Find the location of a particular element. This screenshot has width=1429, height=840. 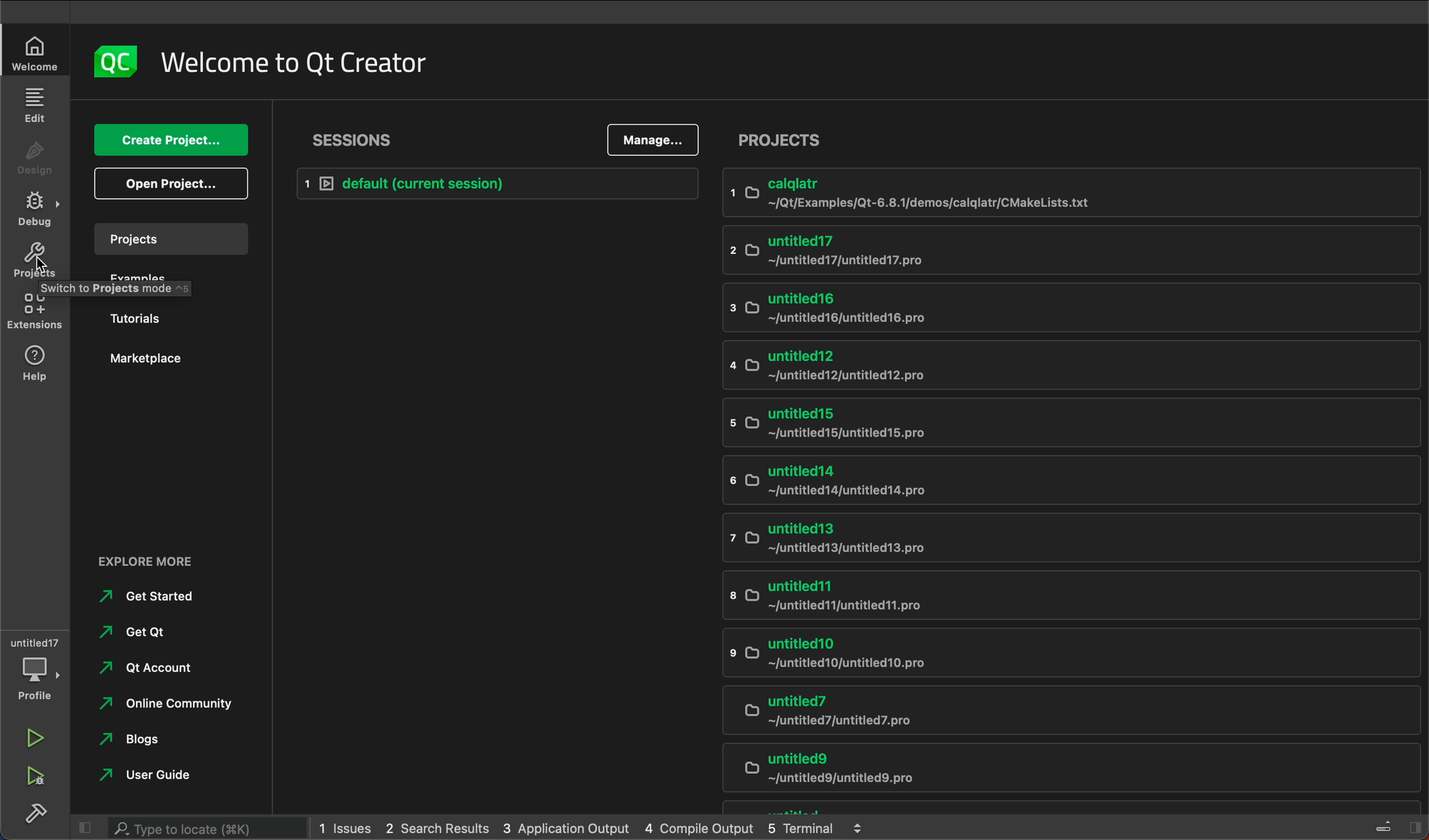

untitled12 is located at coordinates (1062, 366).